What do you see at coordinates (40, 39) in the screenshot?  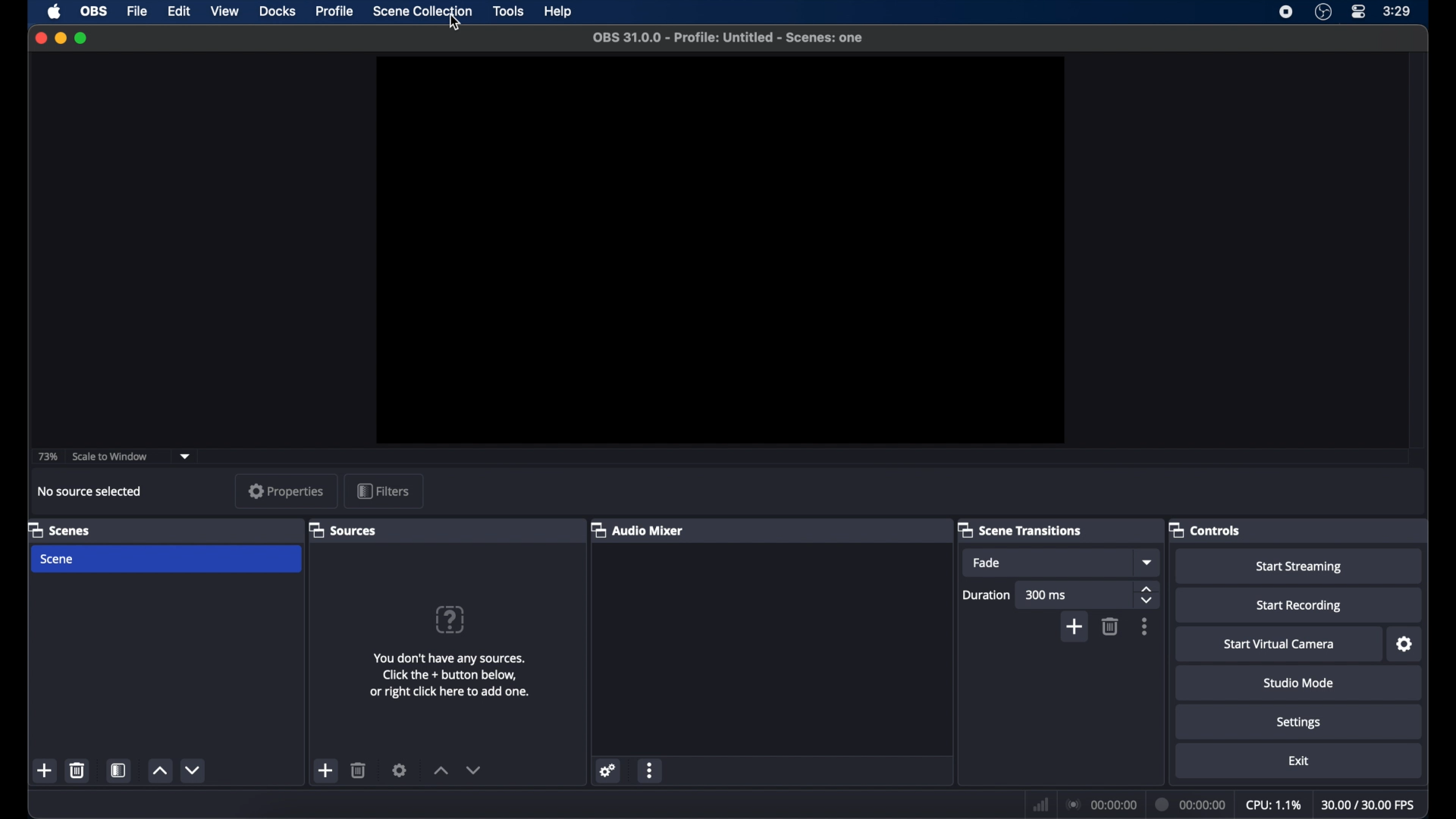 I see `close` at bounding box center [40, 39].